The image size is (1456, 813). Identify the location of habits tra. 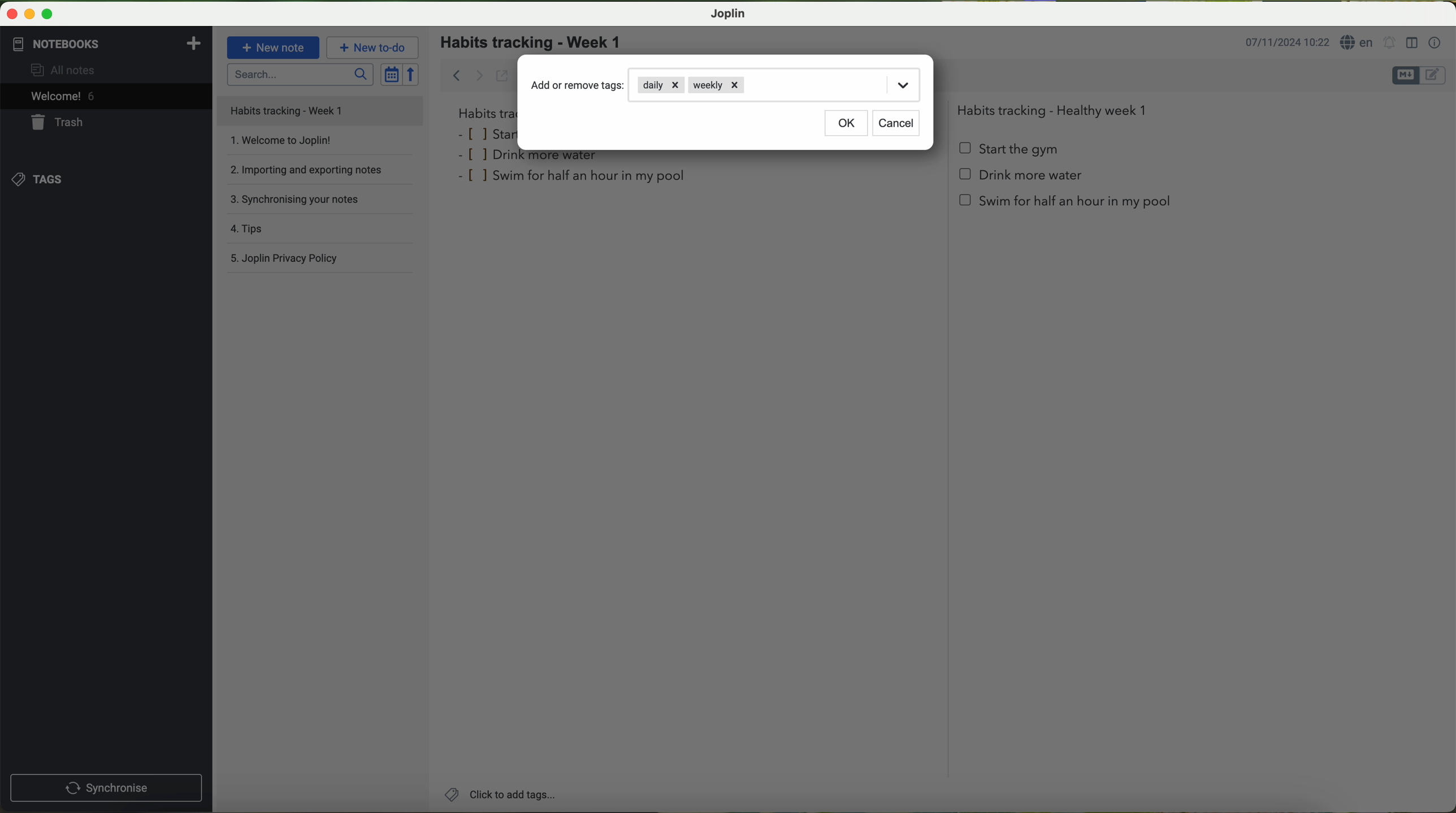
(485, 113).